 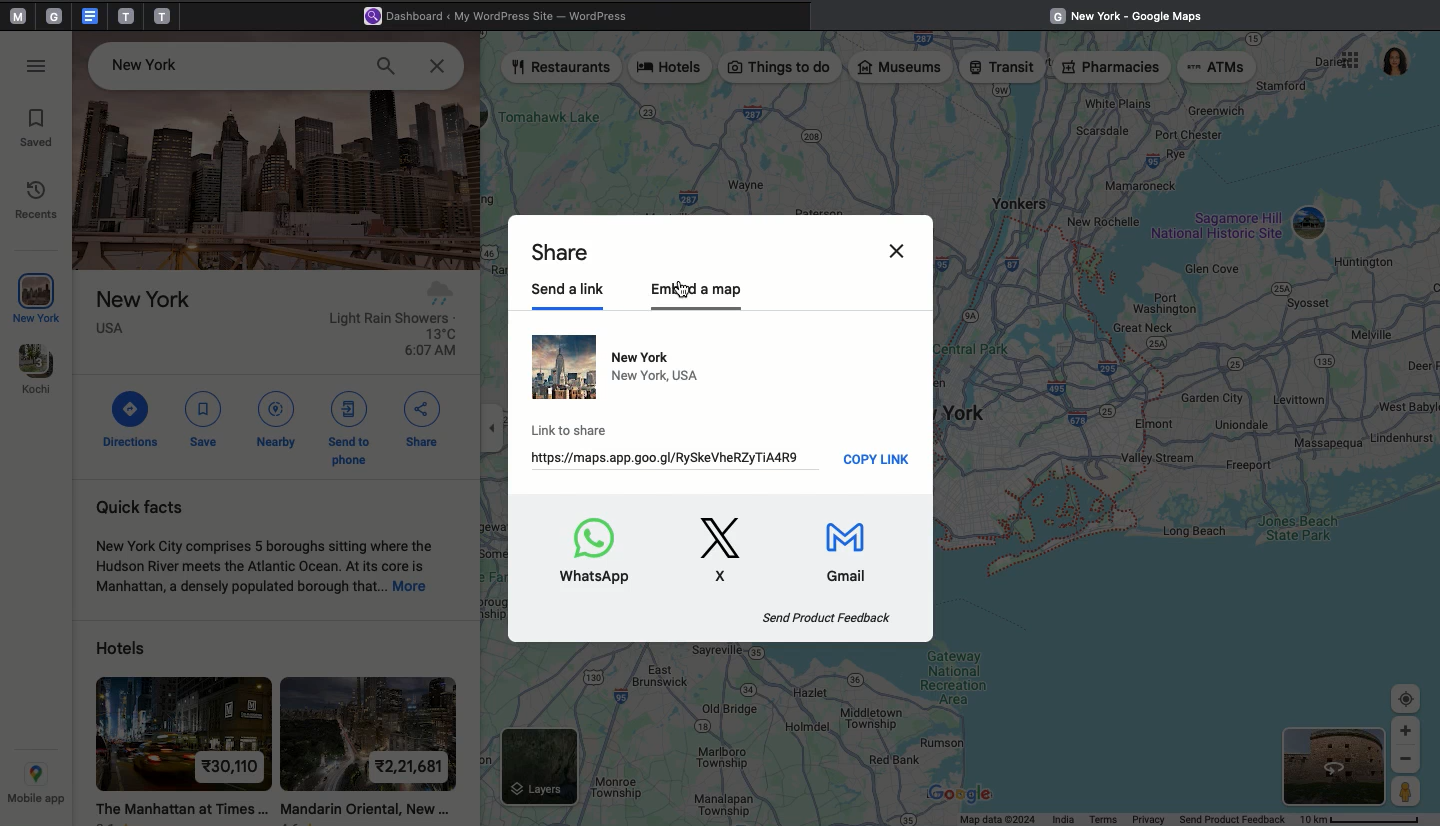 What do you see at coordinates (878, 459) in the screenshot?
I see `Copy link` at bounding box center [878, 459].